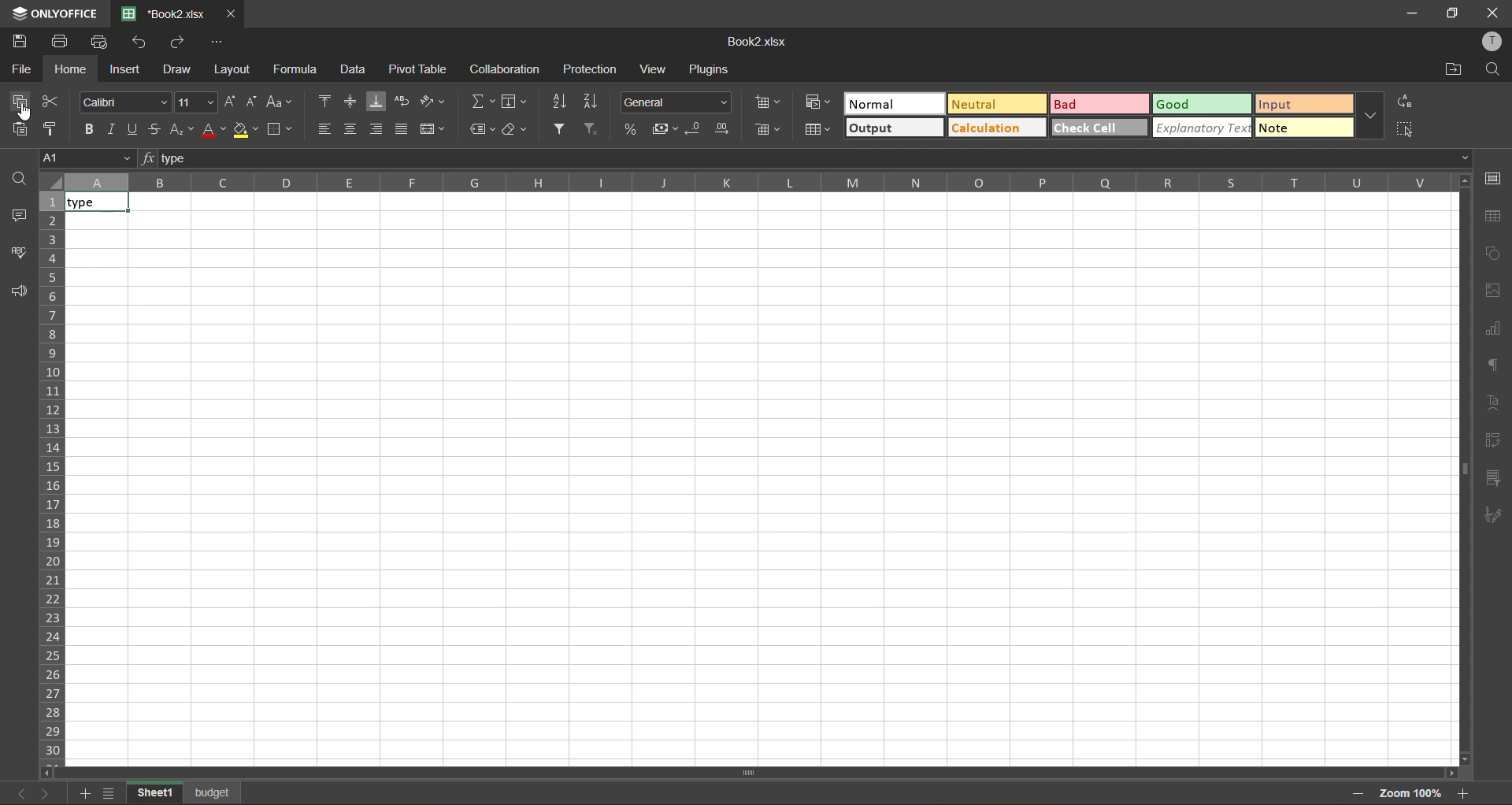 The width and height of the screenshot is (1512, 805). I want to click on sheet list, so click(109, 792).